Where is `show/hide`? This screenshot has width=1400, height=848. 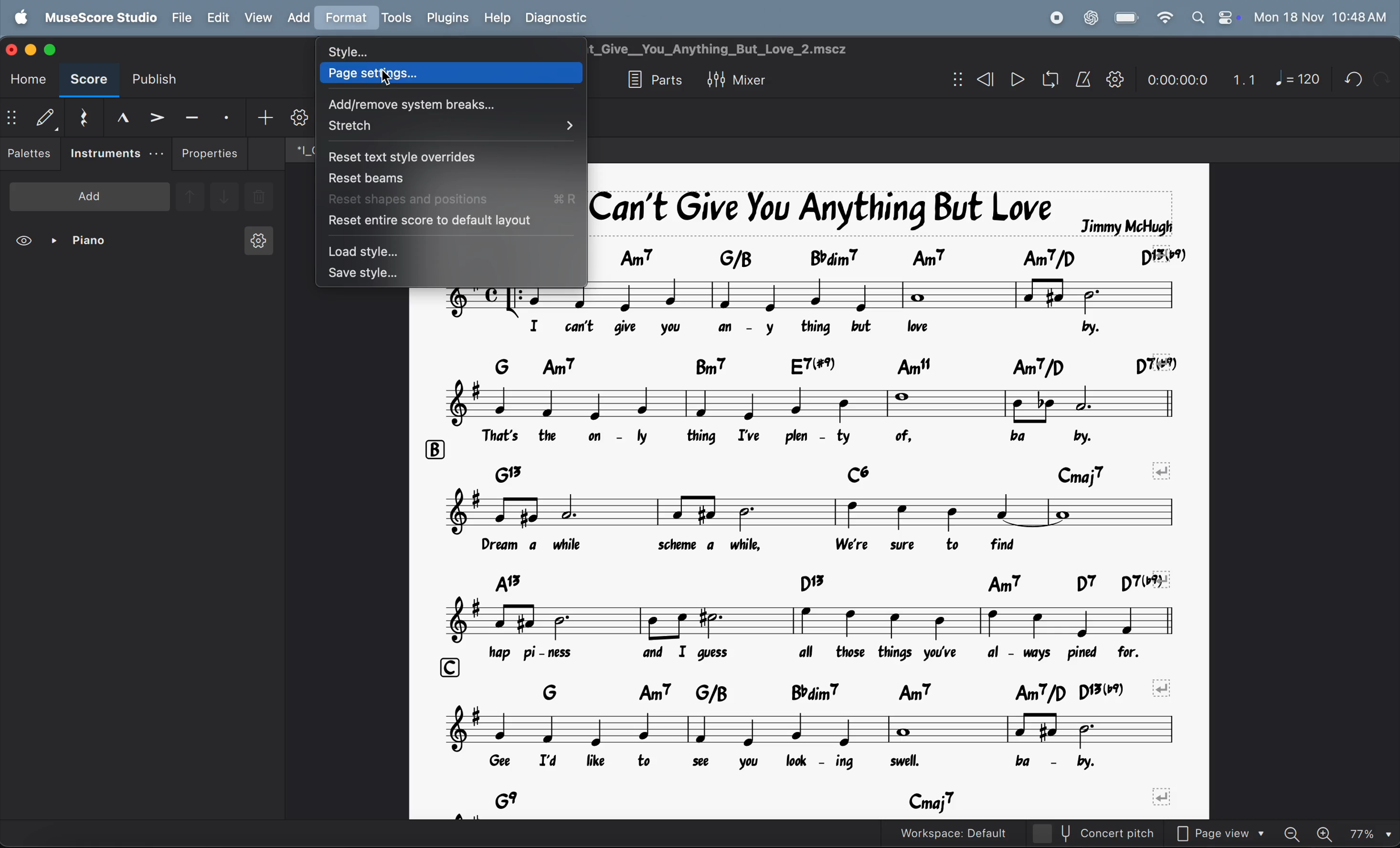 show/hide is located at coordinates (12, 119).